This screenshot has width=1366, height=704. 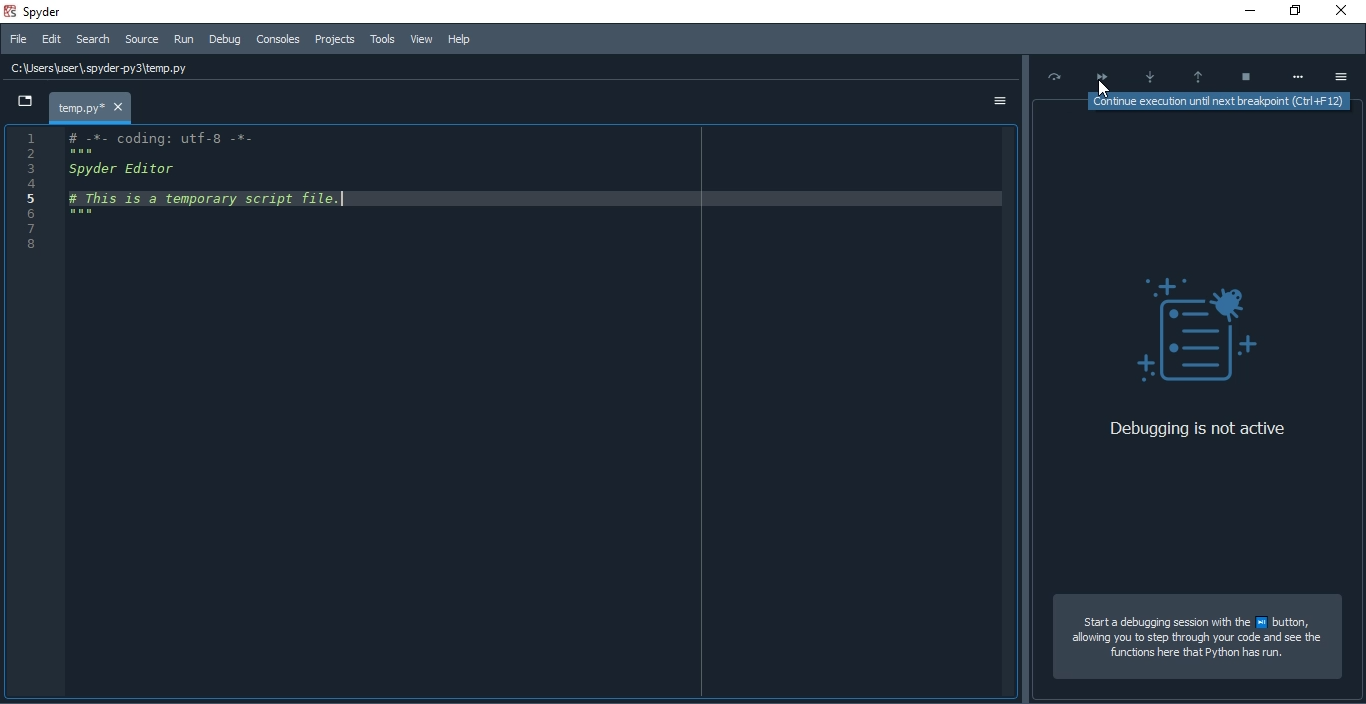 What do you see at coordinates (1201, 259) in the screenshot?
I see `debugging details` at bounding box center [1201, 259].